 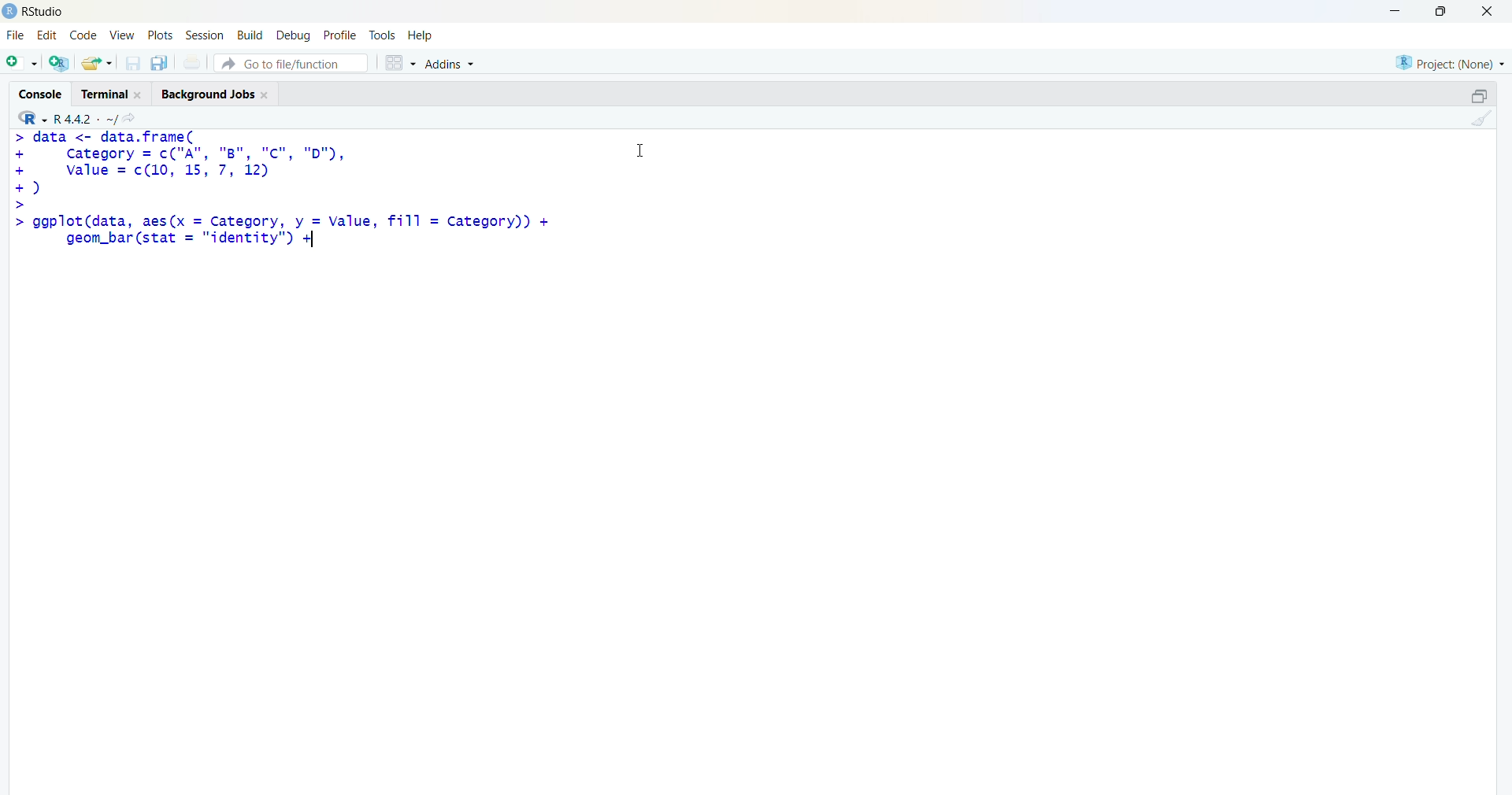 I want to click on Close, so click(x=1484, y=11).